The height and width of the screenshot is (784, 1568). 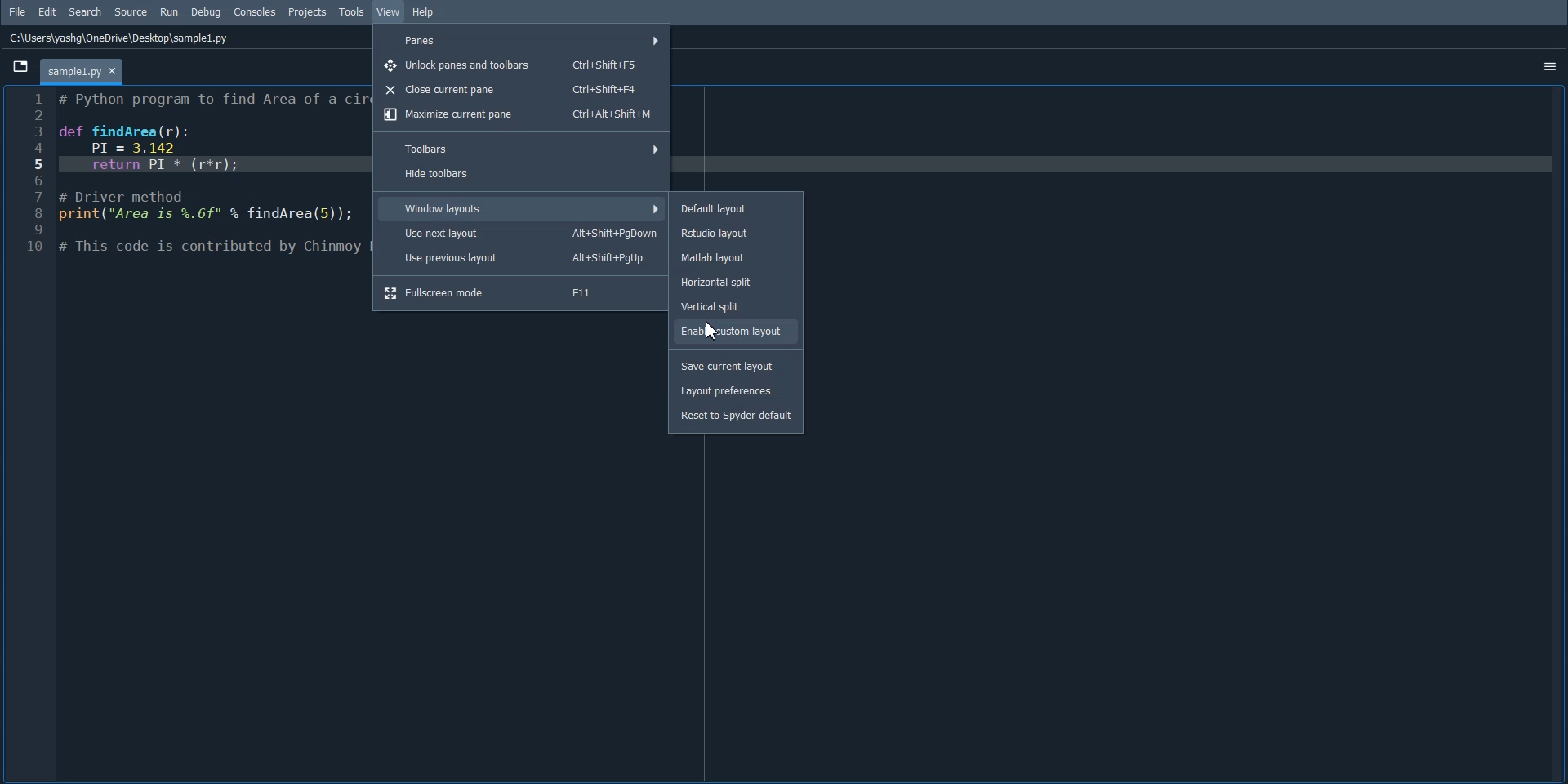 What do you see at coordinates (81, 72) in the screenshot?
I see `Folder` at bounding box center [81, 72].